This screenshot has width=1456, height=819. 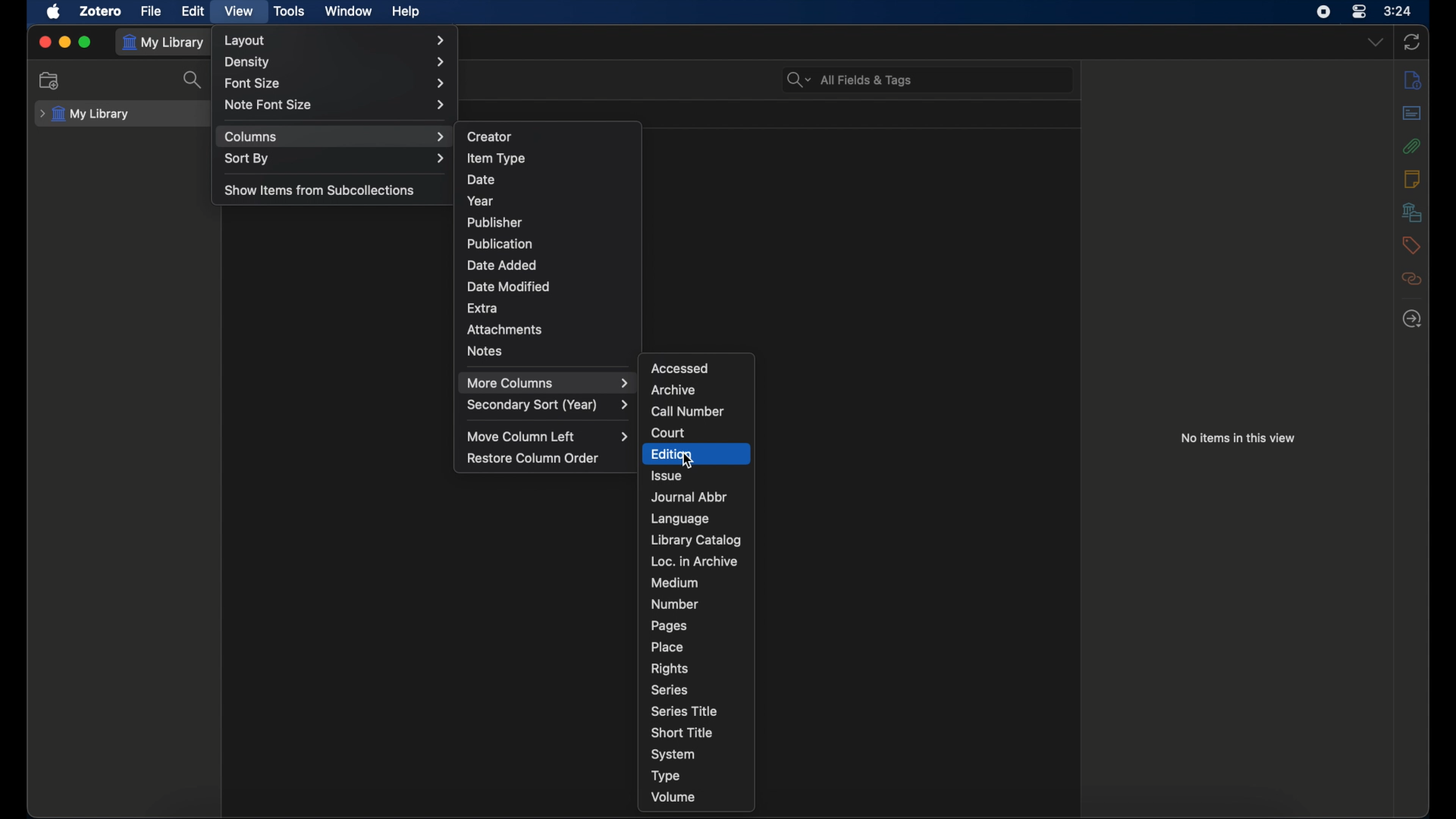 What do you see at coordinates (1411, 177) in the screenshot?
I see `notes` at bounding box center [1411, 177].